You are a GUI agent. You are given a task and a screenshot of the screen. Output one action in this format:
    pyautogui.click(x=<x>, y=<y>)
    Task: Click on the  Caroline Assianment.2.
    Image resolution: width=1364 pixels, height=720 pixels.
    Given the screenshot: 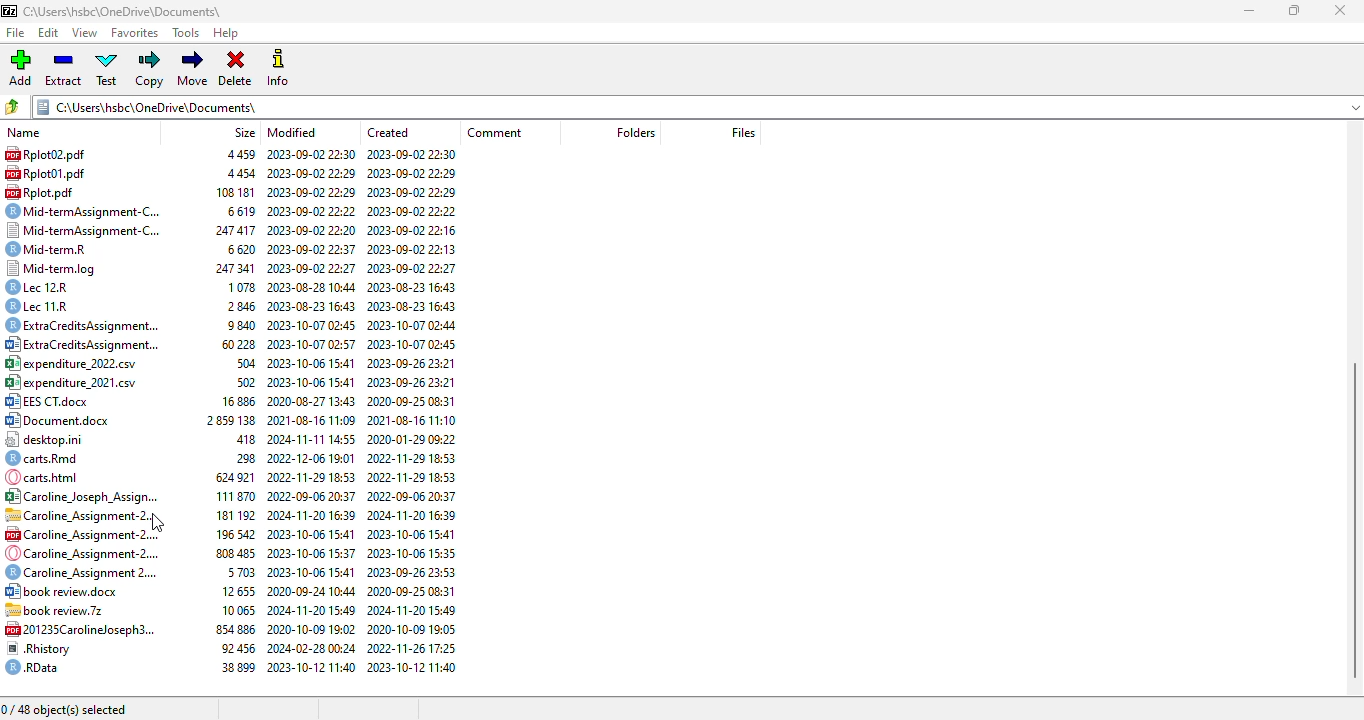 What is the action you would take?
    pyautogui.click(x=81, y=535)
    